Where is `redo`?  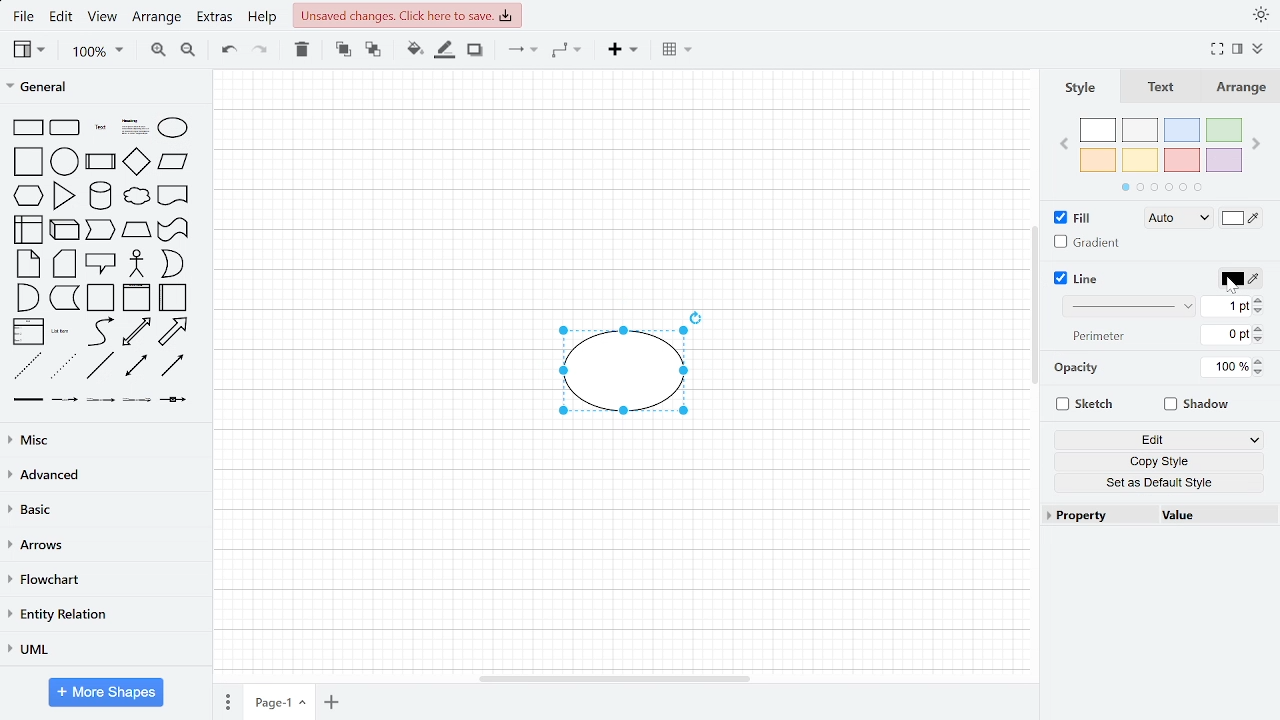 redo is located at coordinates (260, 50).